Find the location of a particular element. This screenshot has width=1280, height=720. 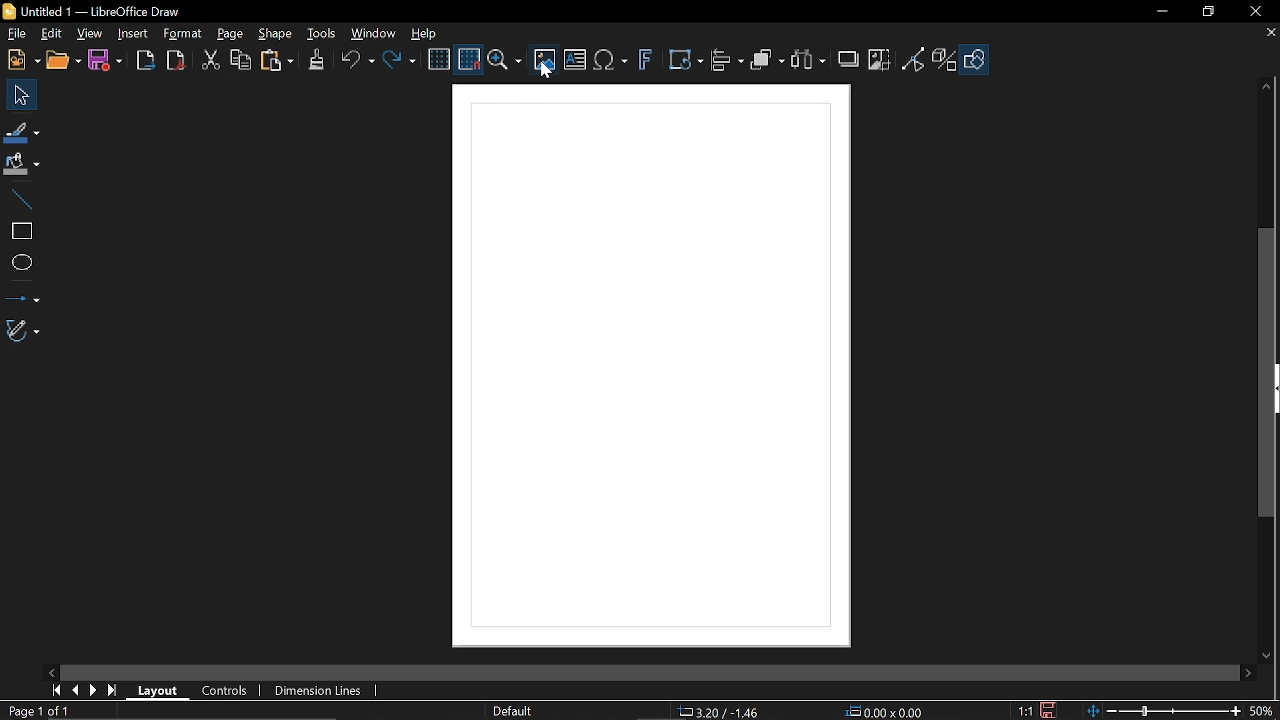

Export is located at coordinates (146, 62).